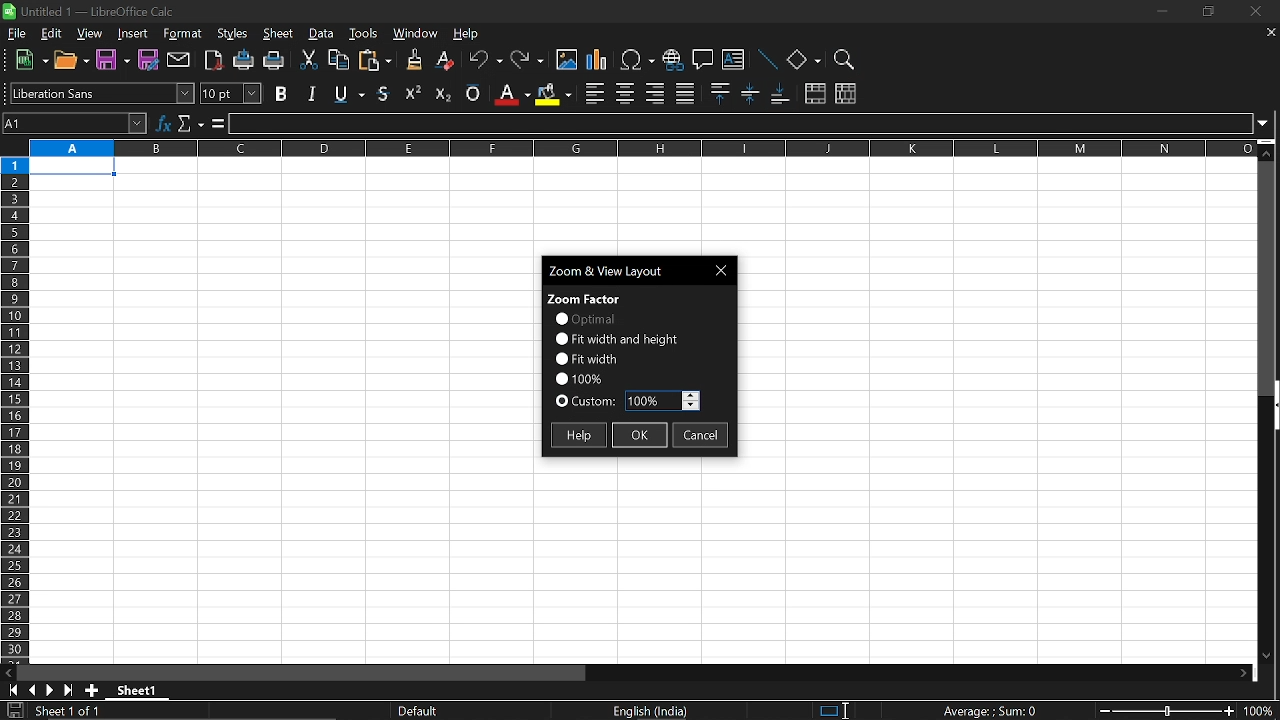 This screenshot has width=1280, height=720. What do you see at coordinates (230, 94) in the screenshot?
I see `text size` at bounding box center [230, 94].